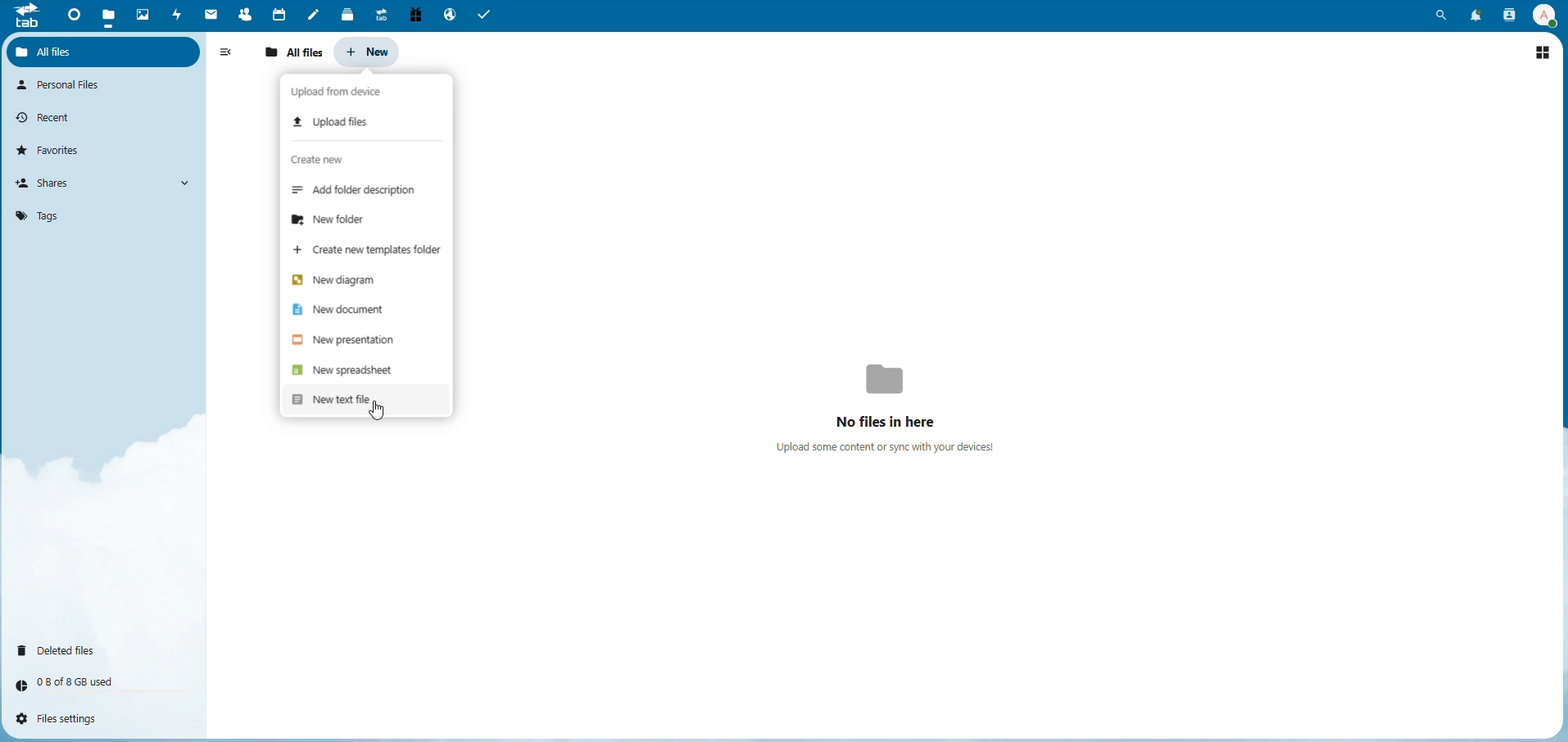 The image size is (1568, 742). What do you see at coordinates (344, 14) in the screenshot?
I see `Deck` at bounding box center [344, 14].